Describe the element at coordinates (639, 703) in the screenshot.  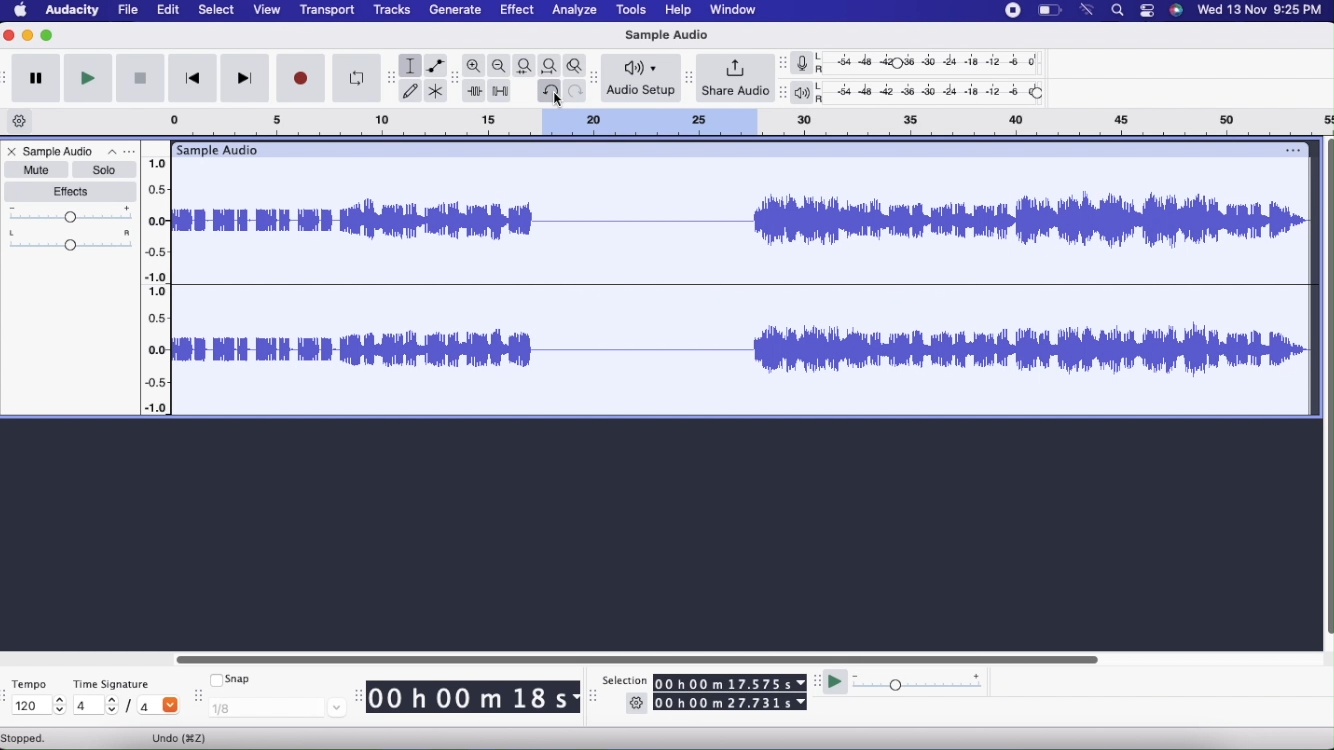
I see `Settings` at that location.